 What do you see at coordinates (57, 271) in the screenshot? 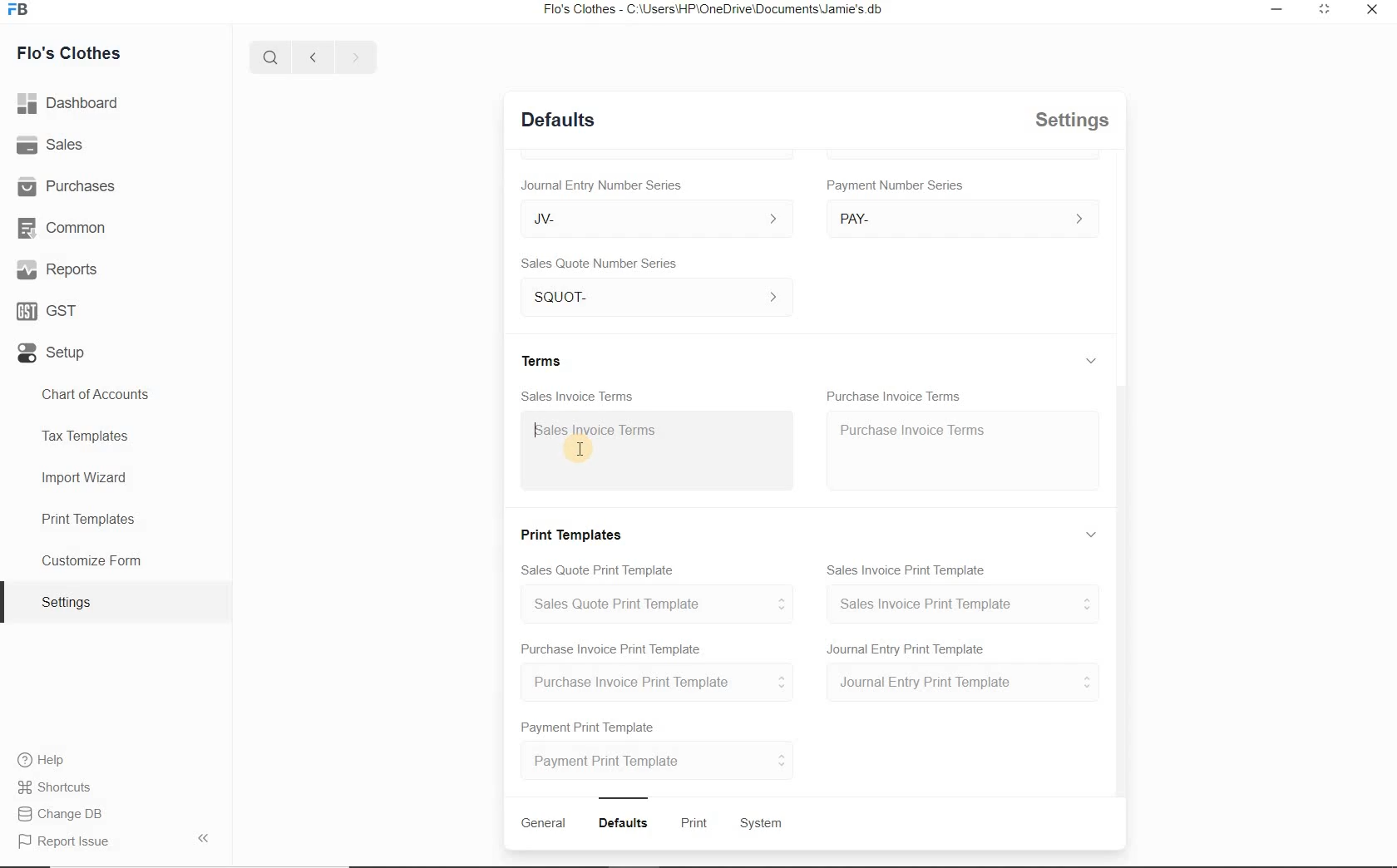
I see `Reports` at bounding box center [57, 271].